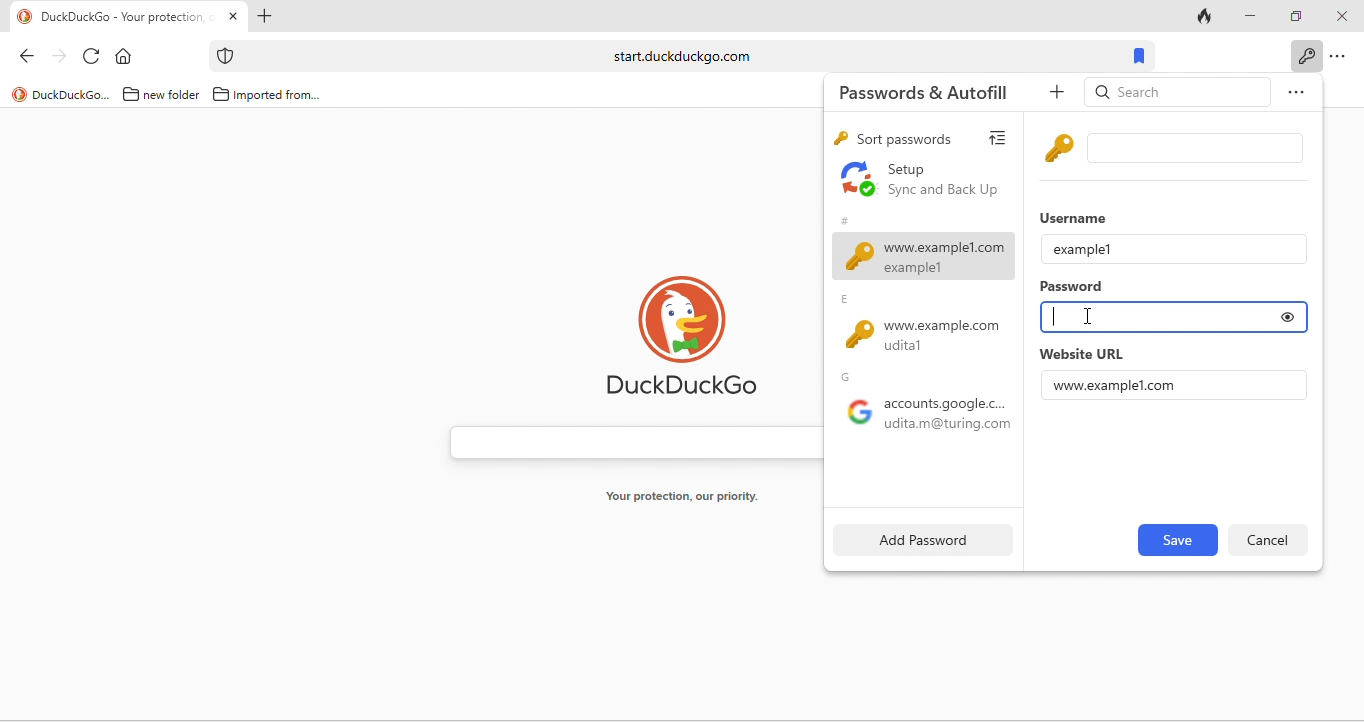 This screenshot has height=722, width=1364. What do you see at coordinates (56, 54) in the screenshot?
I see `forward` at bounding box center [56, 54].